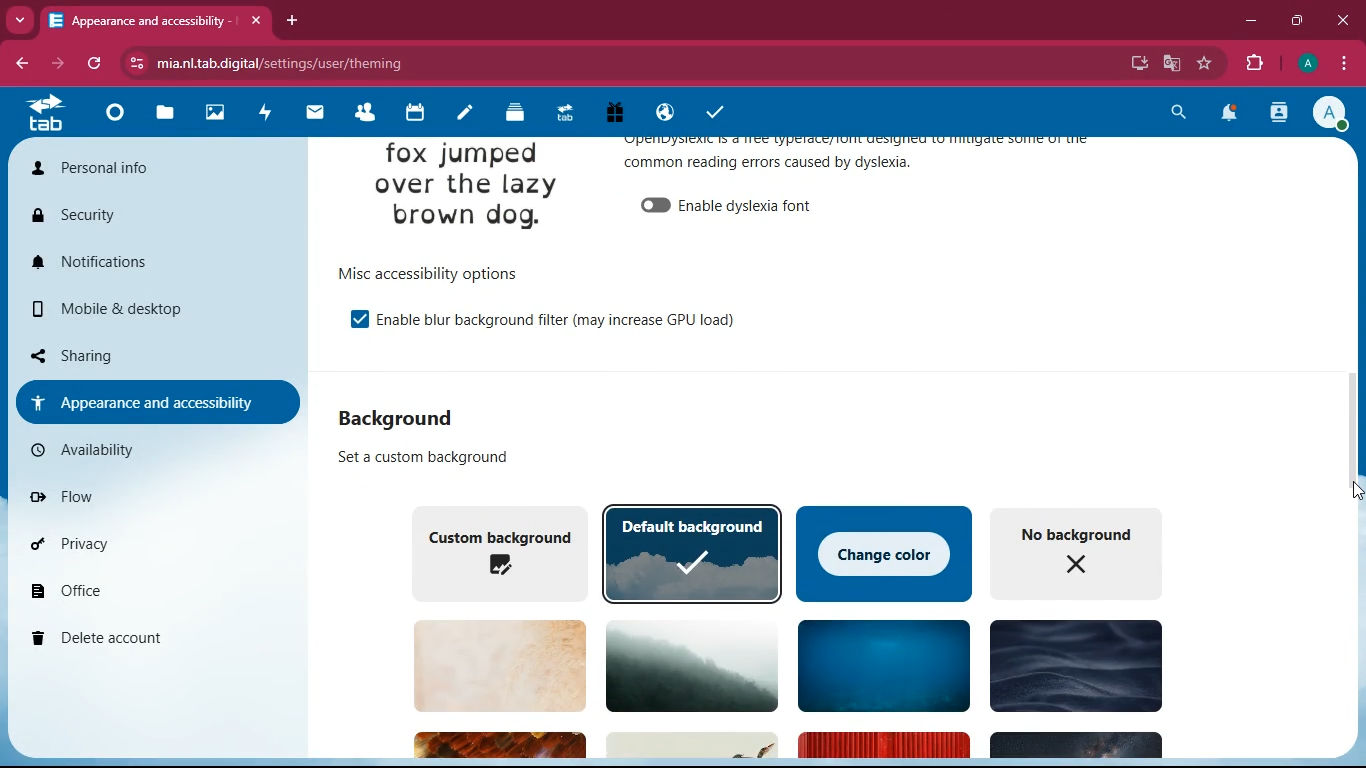 This screenshot has width=1366, height=768. Describe the element at coordinates (156, 401) in the screenshot. I see `appearance` at that location.